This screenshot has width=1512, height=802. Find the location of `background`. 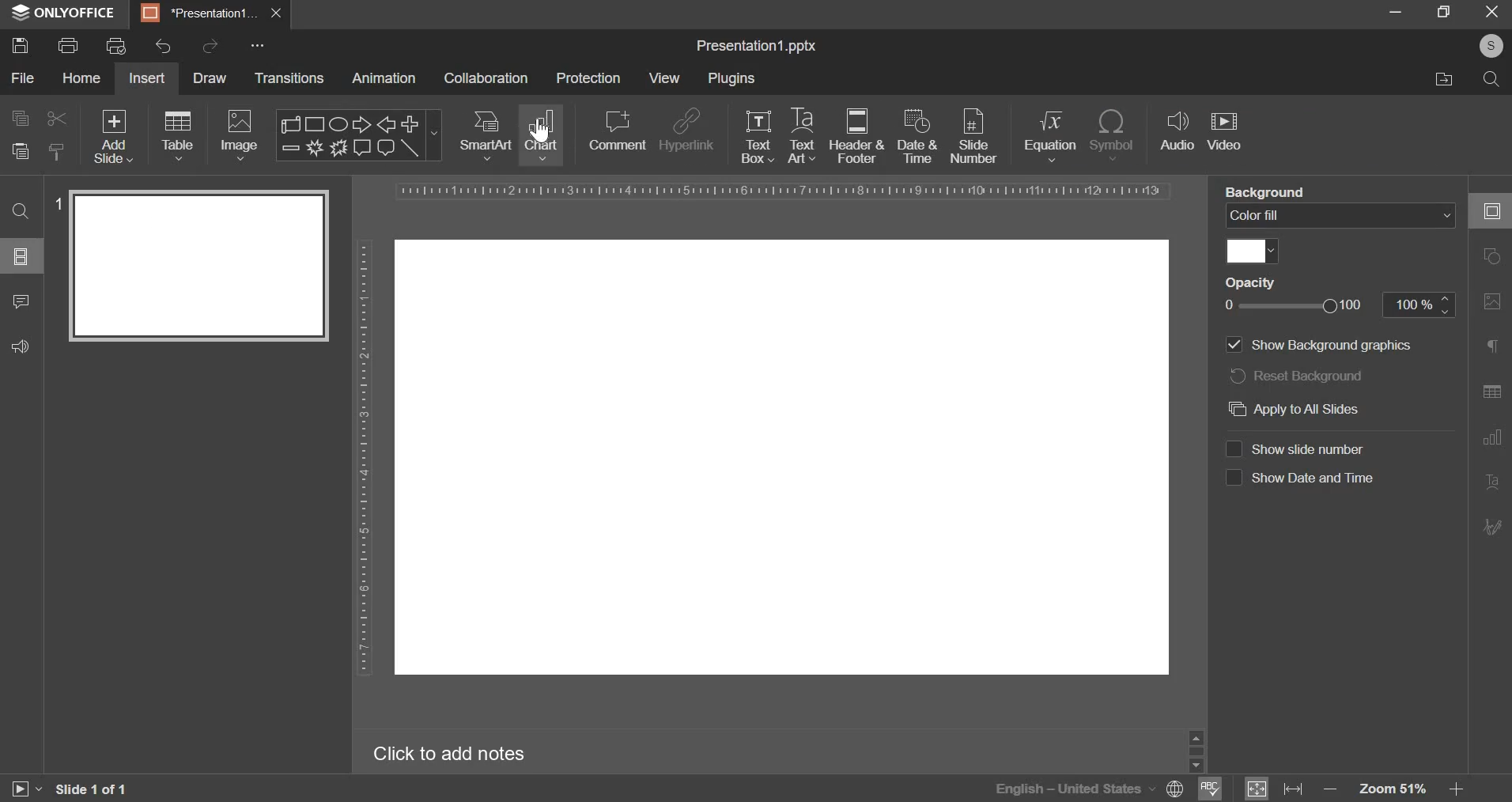

background is located at coordinates (1270, 191).